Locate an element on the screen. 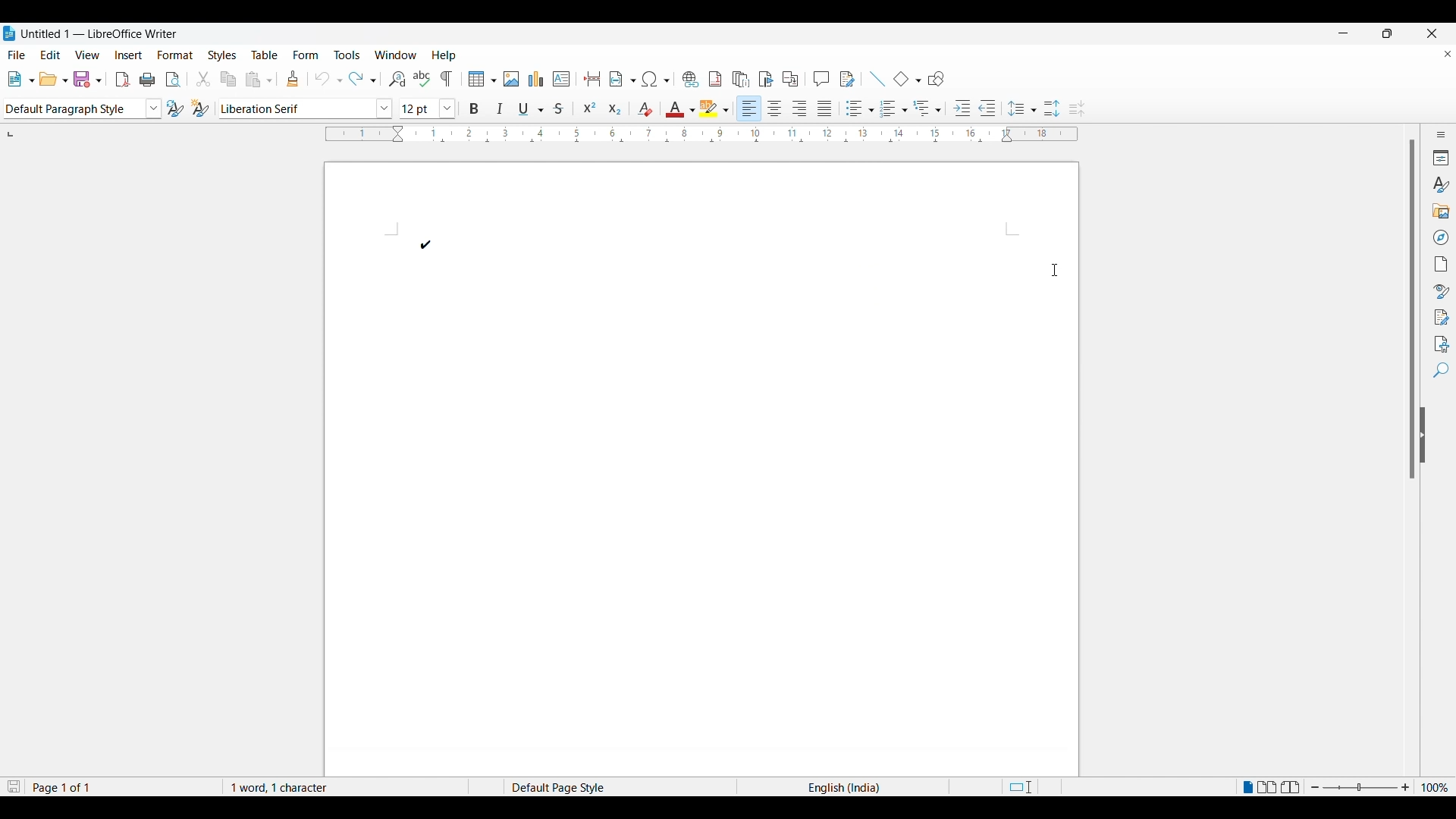  Accessibility check is located at coordinates (1437, 343).